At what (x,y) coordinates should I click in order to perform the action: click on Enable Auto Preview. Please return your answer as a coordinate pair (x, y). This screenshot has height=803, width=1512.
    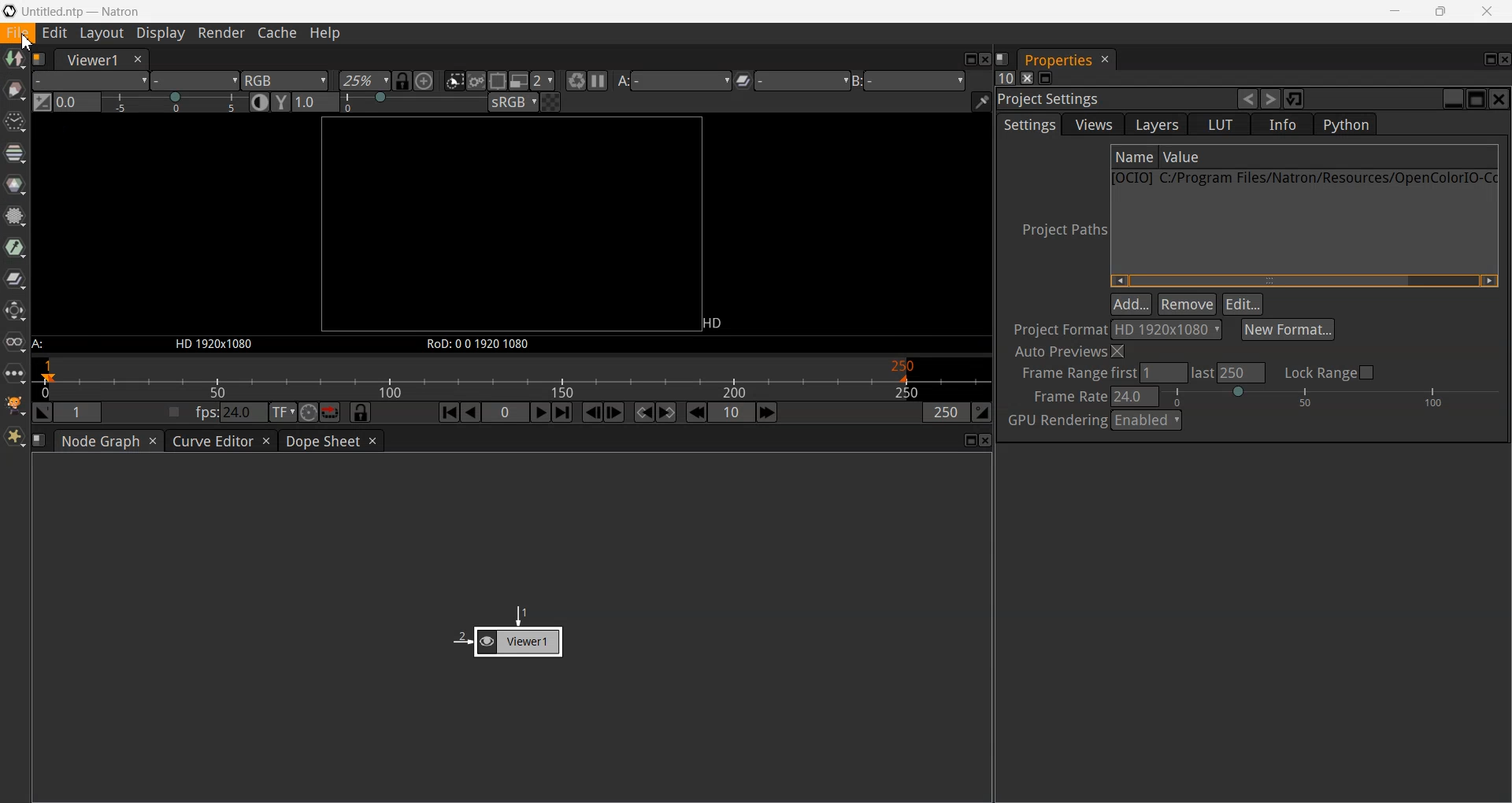
    Looking at the image, I should click on (1072, 353).